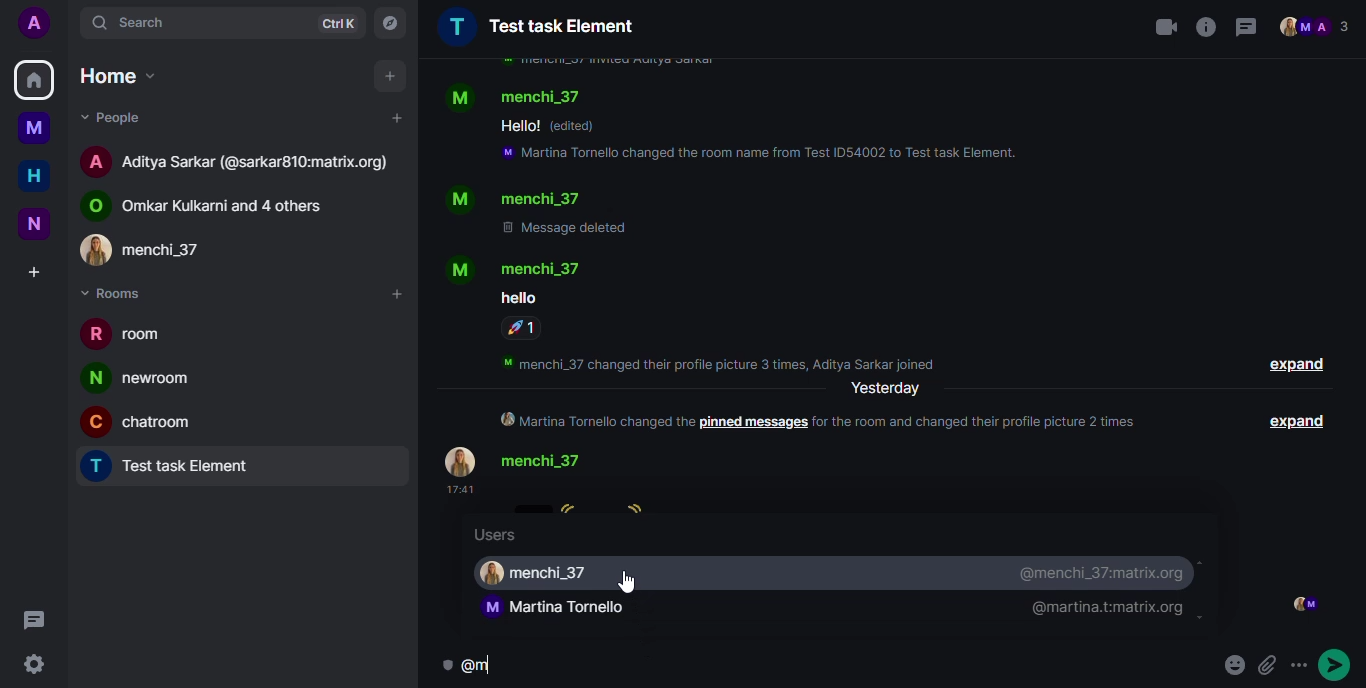 Image resolution: width=1366 pixels, height=688 pixels. Describe the element at coordinates (568, 228) in the screenshot. I see `message deleted` at that location.